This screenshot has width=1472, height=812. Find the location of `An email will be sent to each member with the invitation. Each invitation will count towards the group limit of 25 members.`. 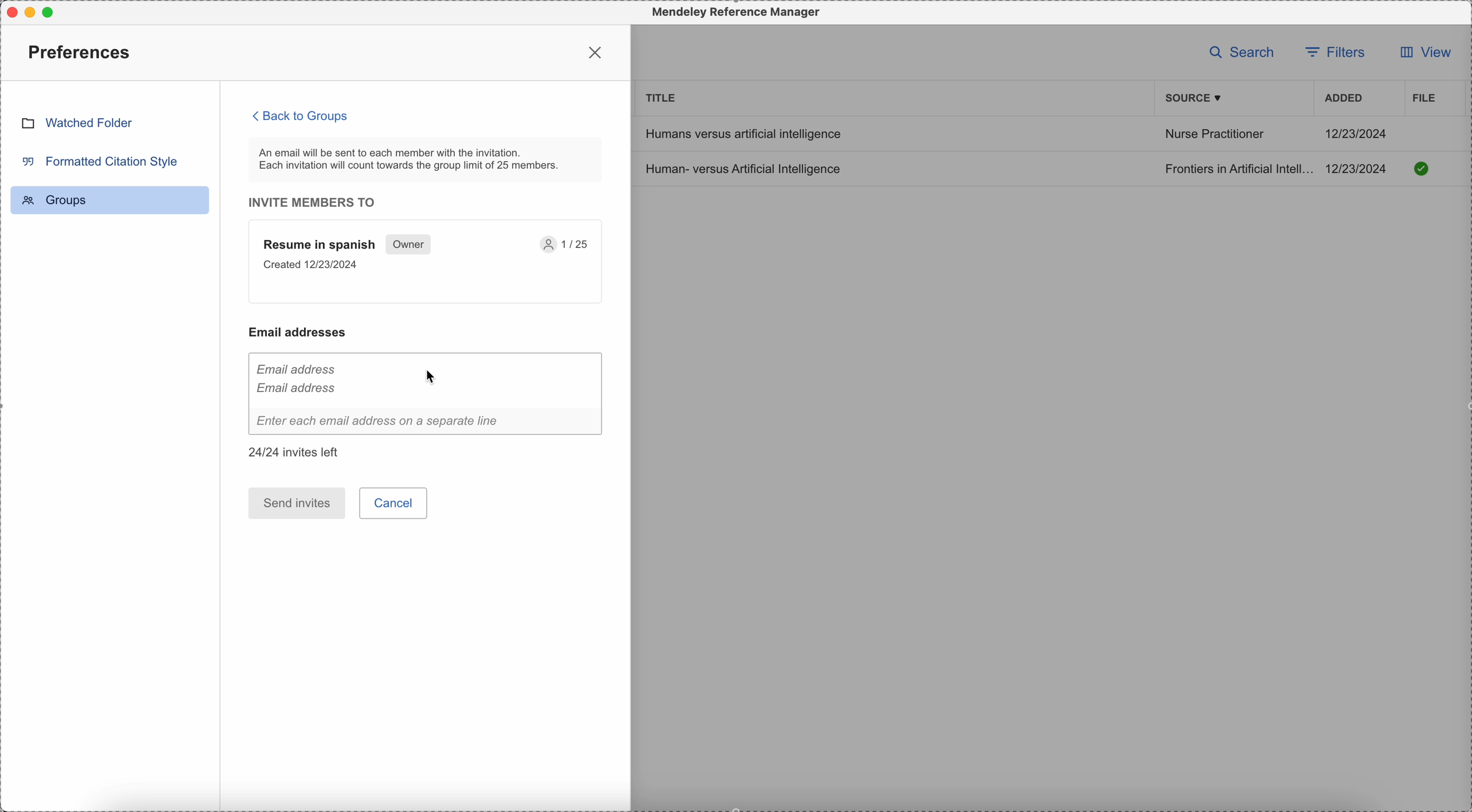

An email will be sent to each member with the invitation. Each invitation will count towards the group limit of 25 members. is located at coordinates (426, 159).